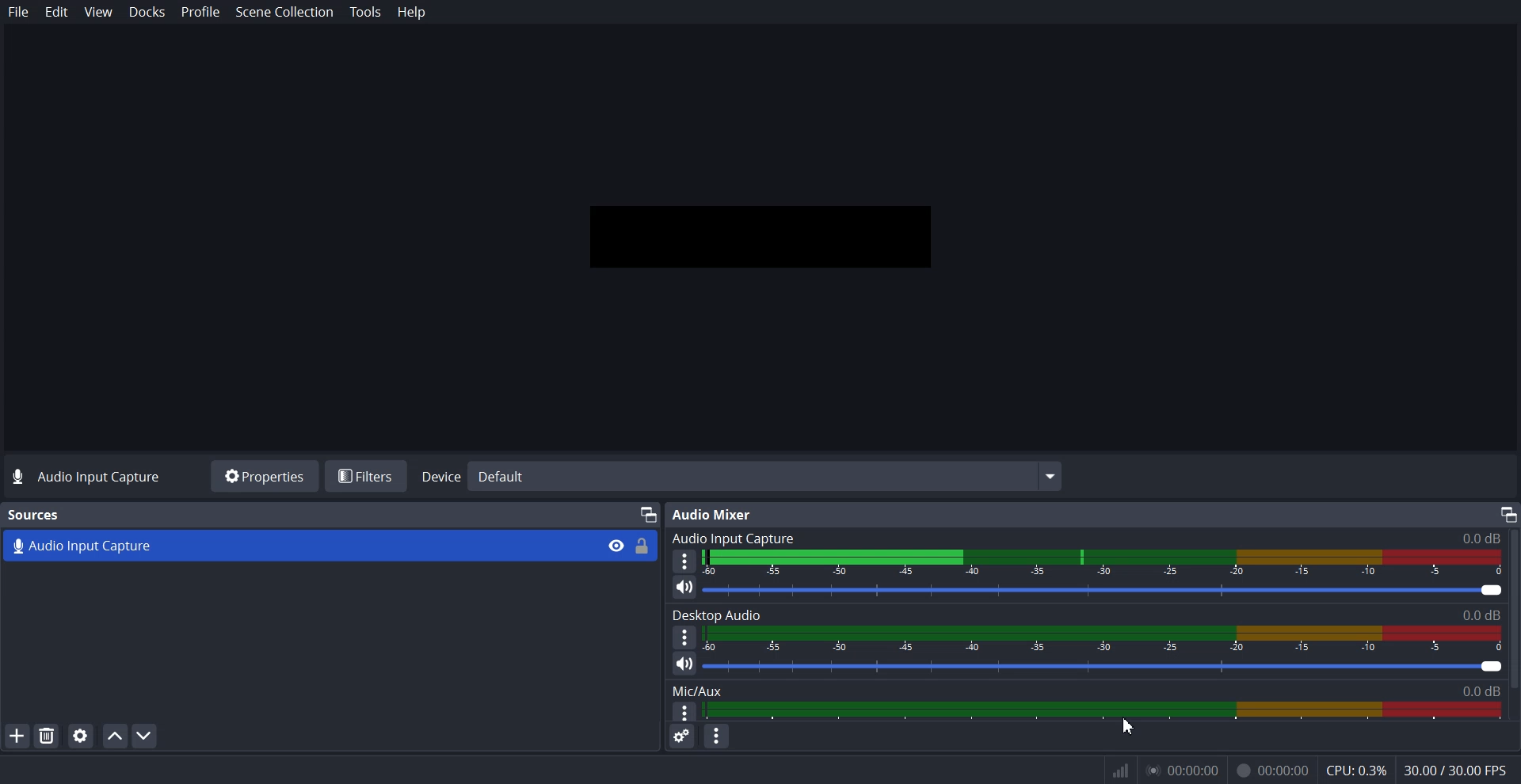  What do you see at coordinates (147, 13) in the screenshot?
I see `Docks` at bounding box center [147, 13].